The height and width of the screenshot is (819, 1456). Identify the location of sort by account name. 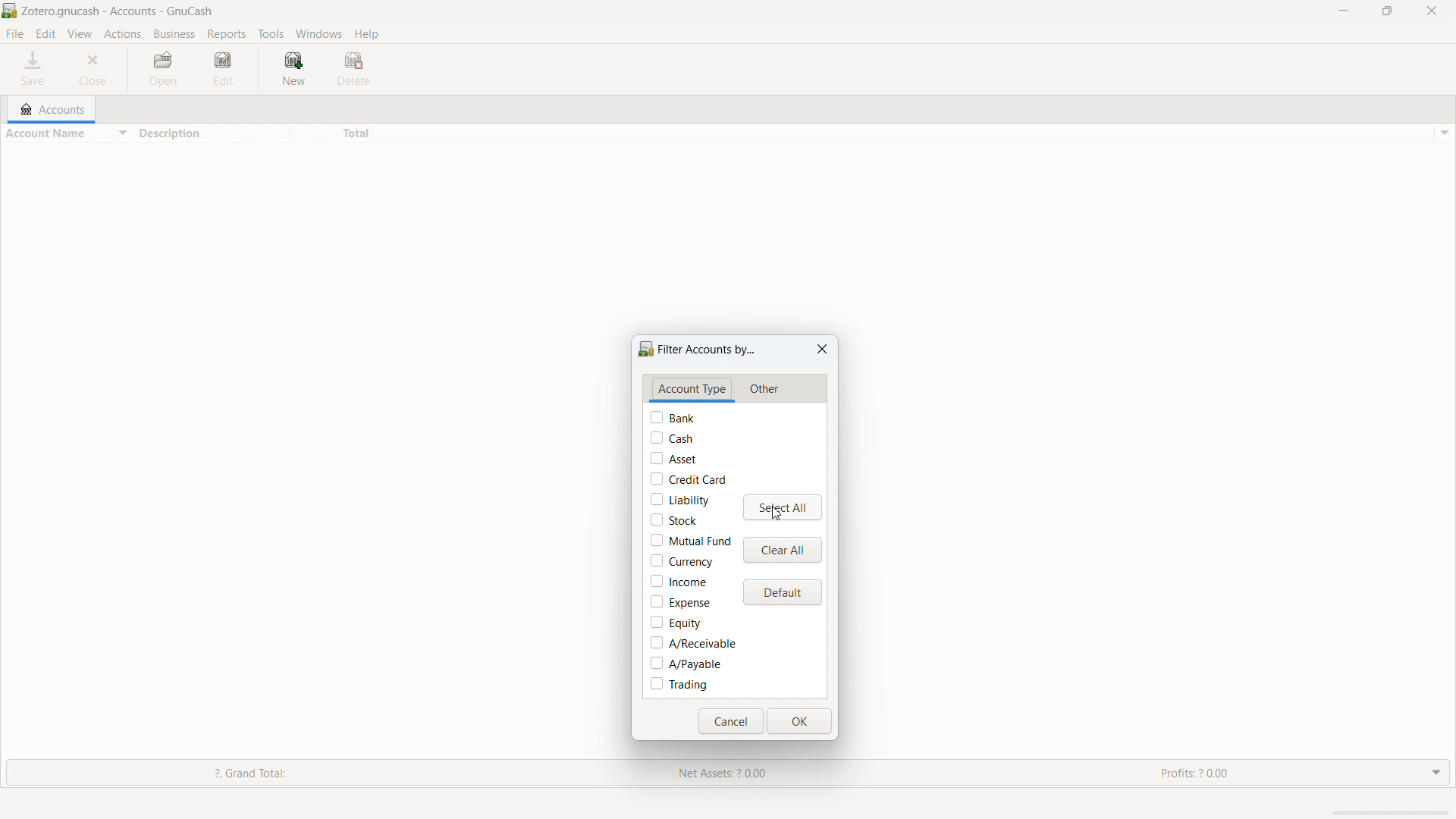
(64, 134).